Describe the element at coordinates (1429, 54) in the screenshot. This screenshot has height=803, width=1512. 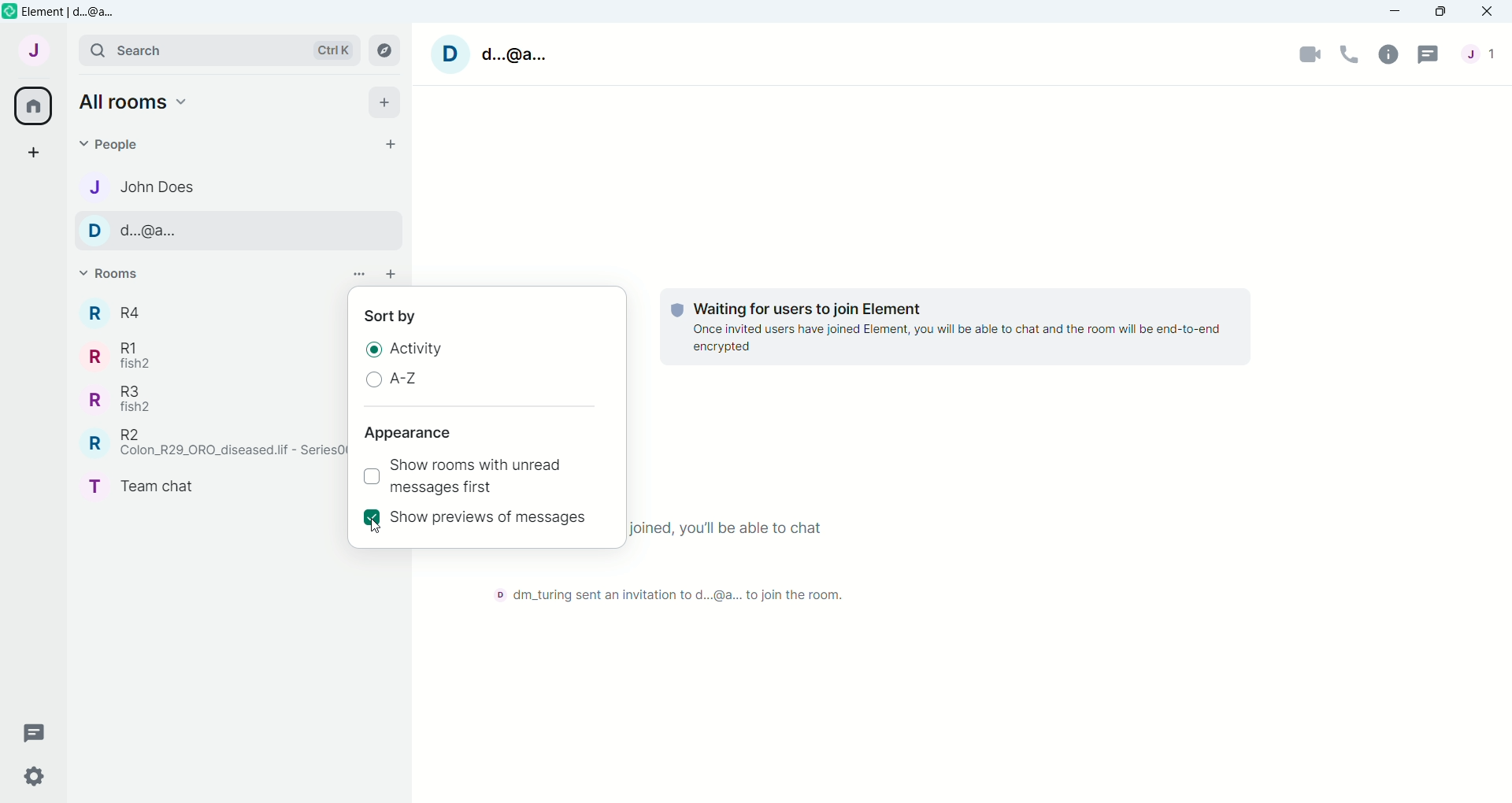
I see `Threads` at that location.